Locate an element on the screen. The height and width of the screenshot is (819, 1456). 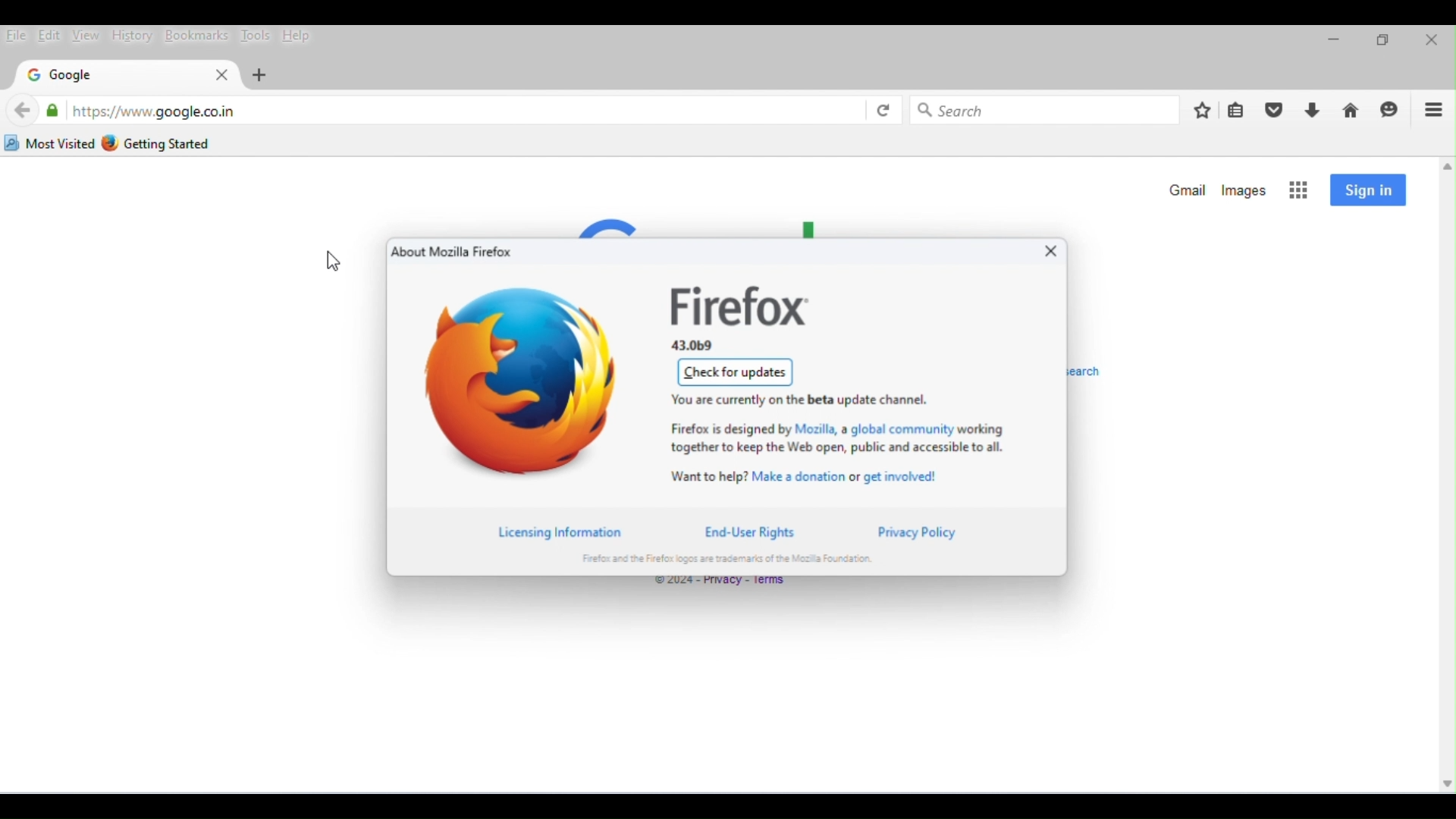
images is located at coordinates (1246, 190).